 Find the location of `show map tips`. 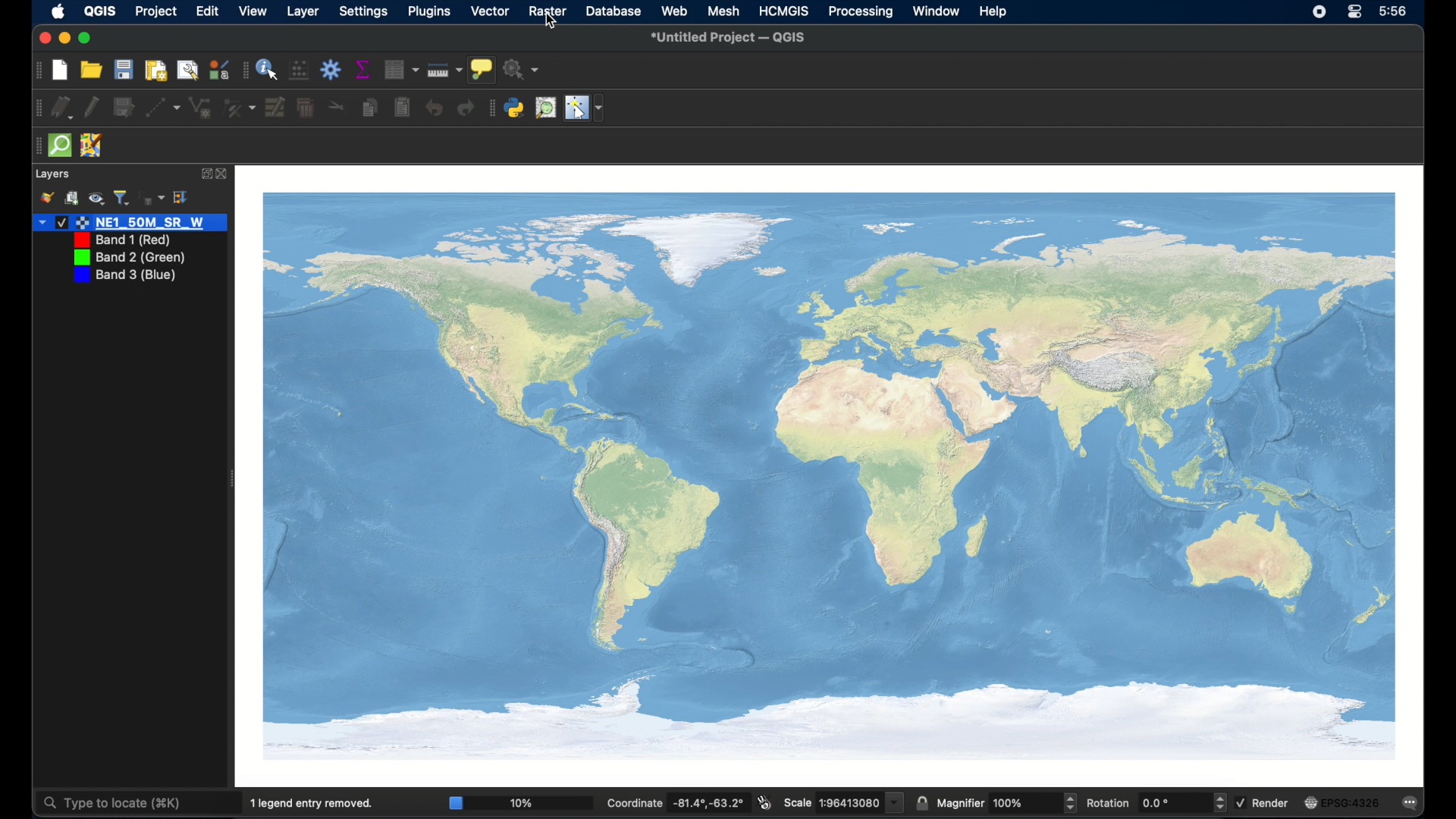

show map tips is located at coordinates (482, 69).